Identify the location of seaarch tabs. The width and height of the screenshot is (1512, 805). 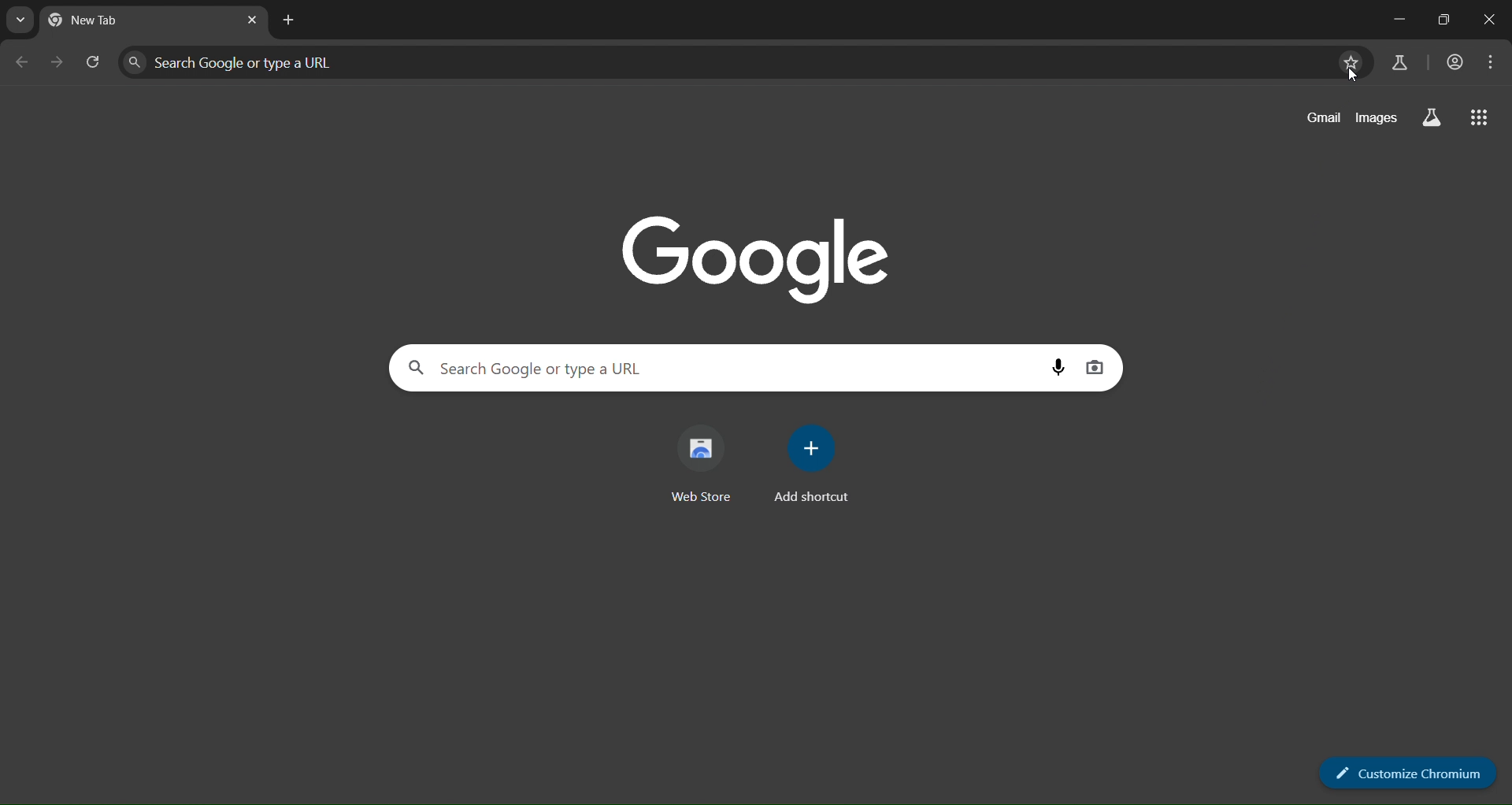
(21, 22).